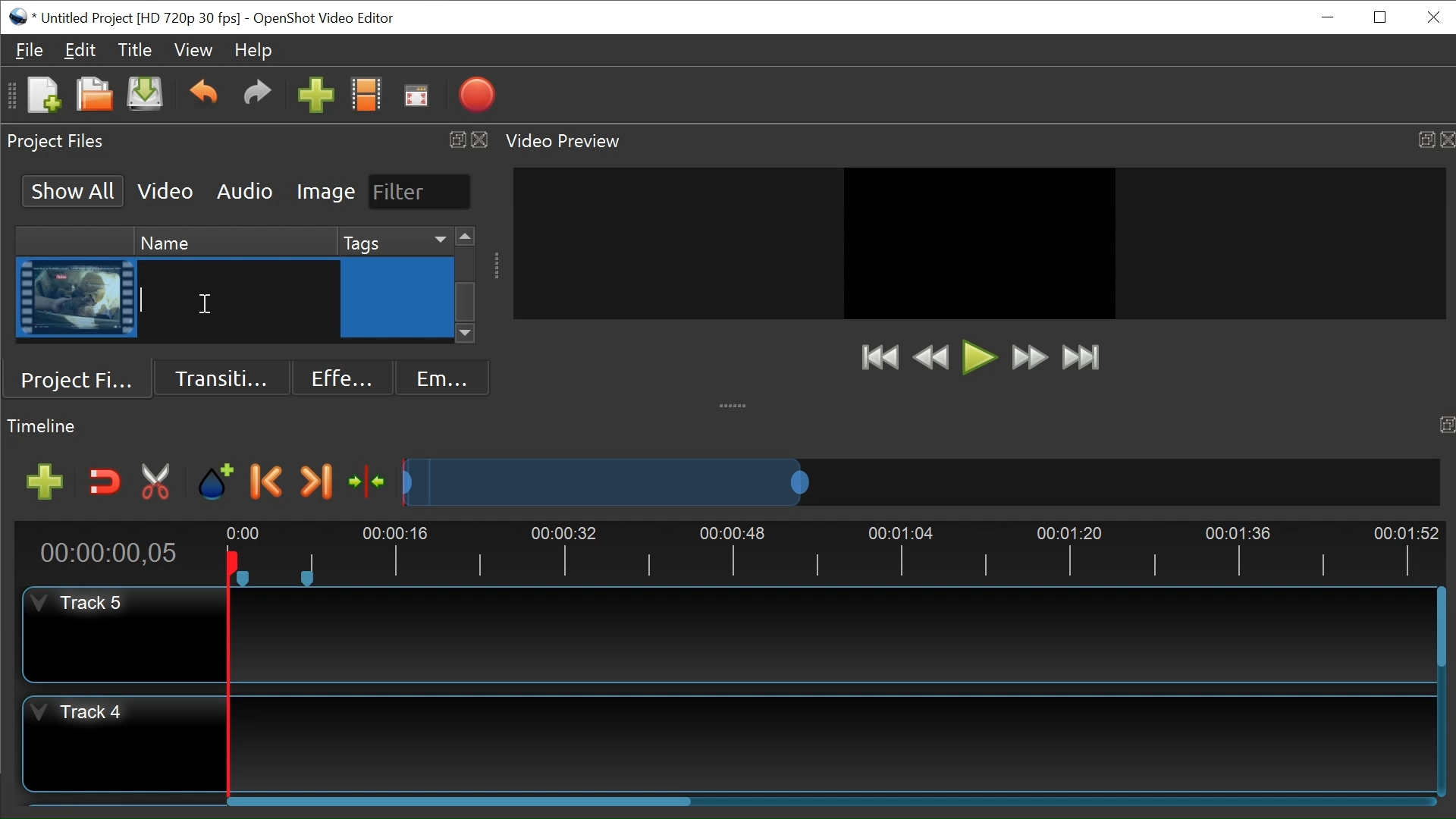 The width and height of the screenshot is (1456, 819). Describe the element at coordinates (203, 95) in the screenshot. I see `Undo` at that location.